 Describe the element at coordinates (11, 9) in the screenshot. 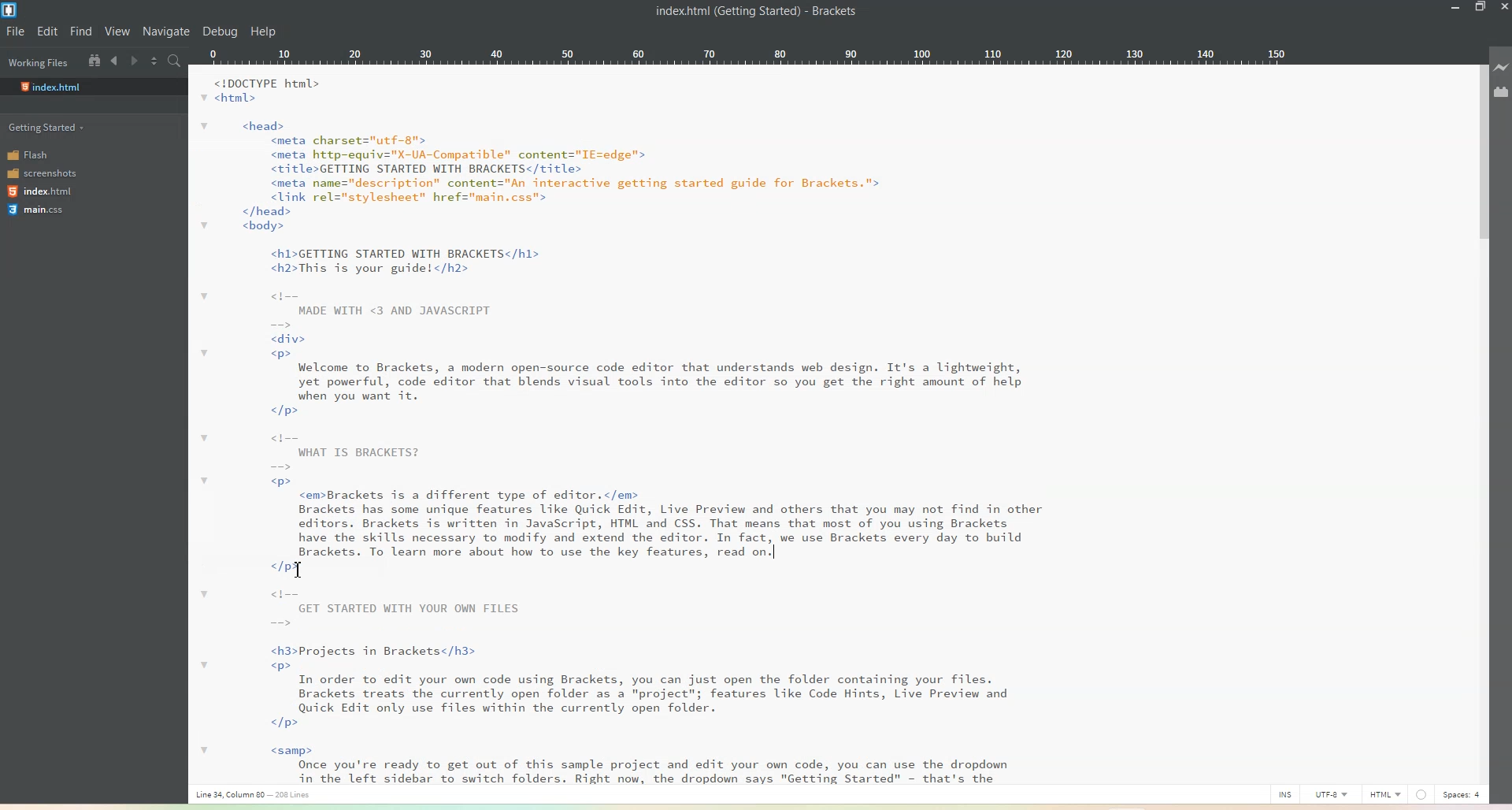

I see `Logo` at that location.